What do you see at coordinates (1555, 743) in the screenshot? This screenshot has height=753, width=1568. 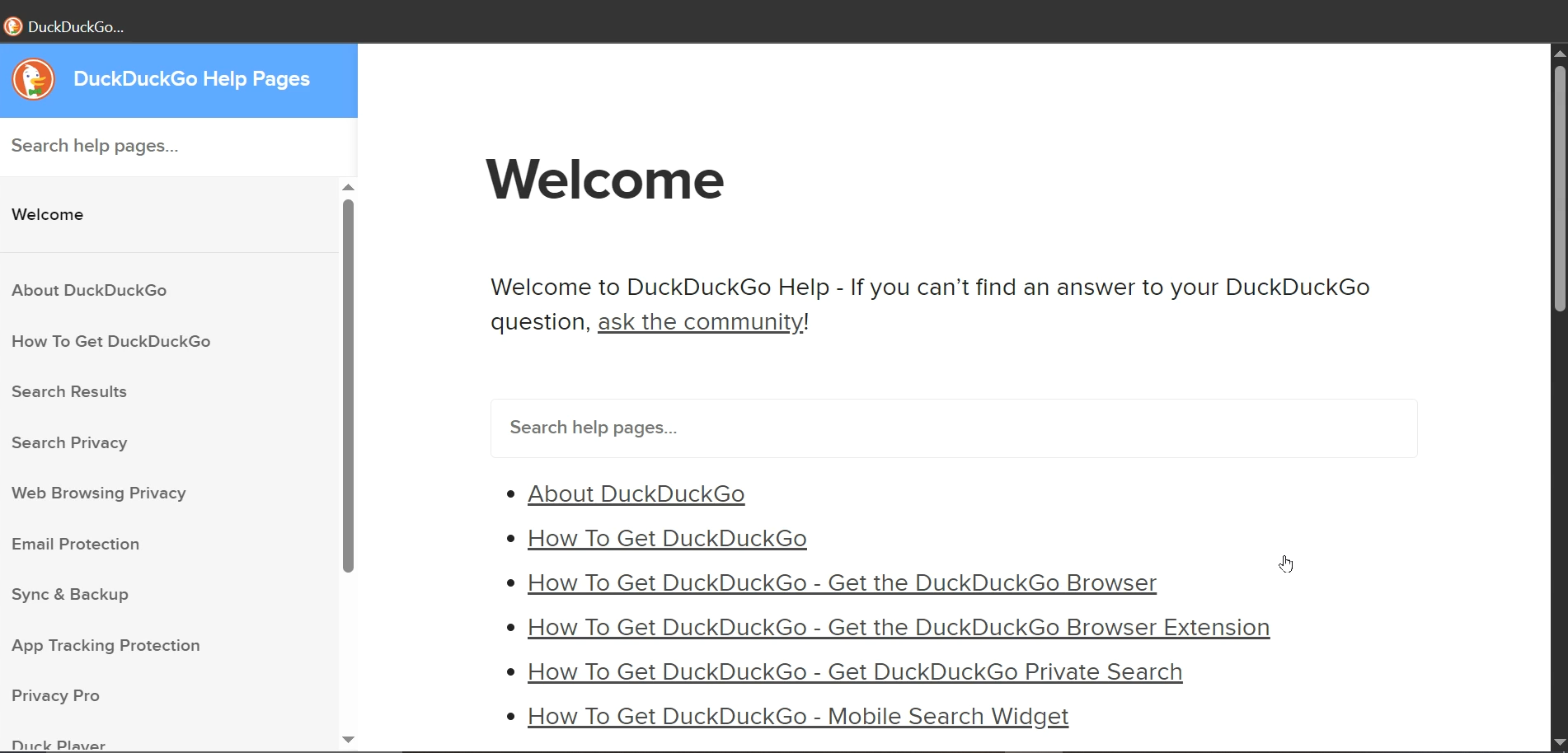 I see `scroll down` at bounding box center [1555, 743].